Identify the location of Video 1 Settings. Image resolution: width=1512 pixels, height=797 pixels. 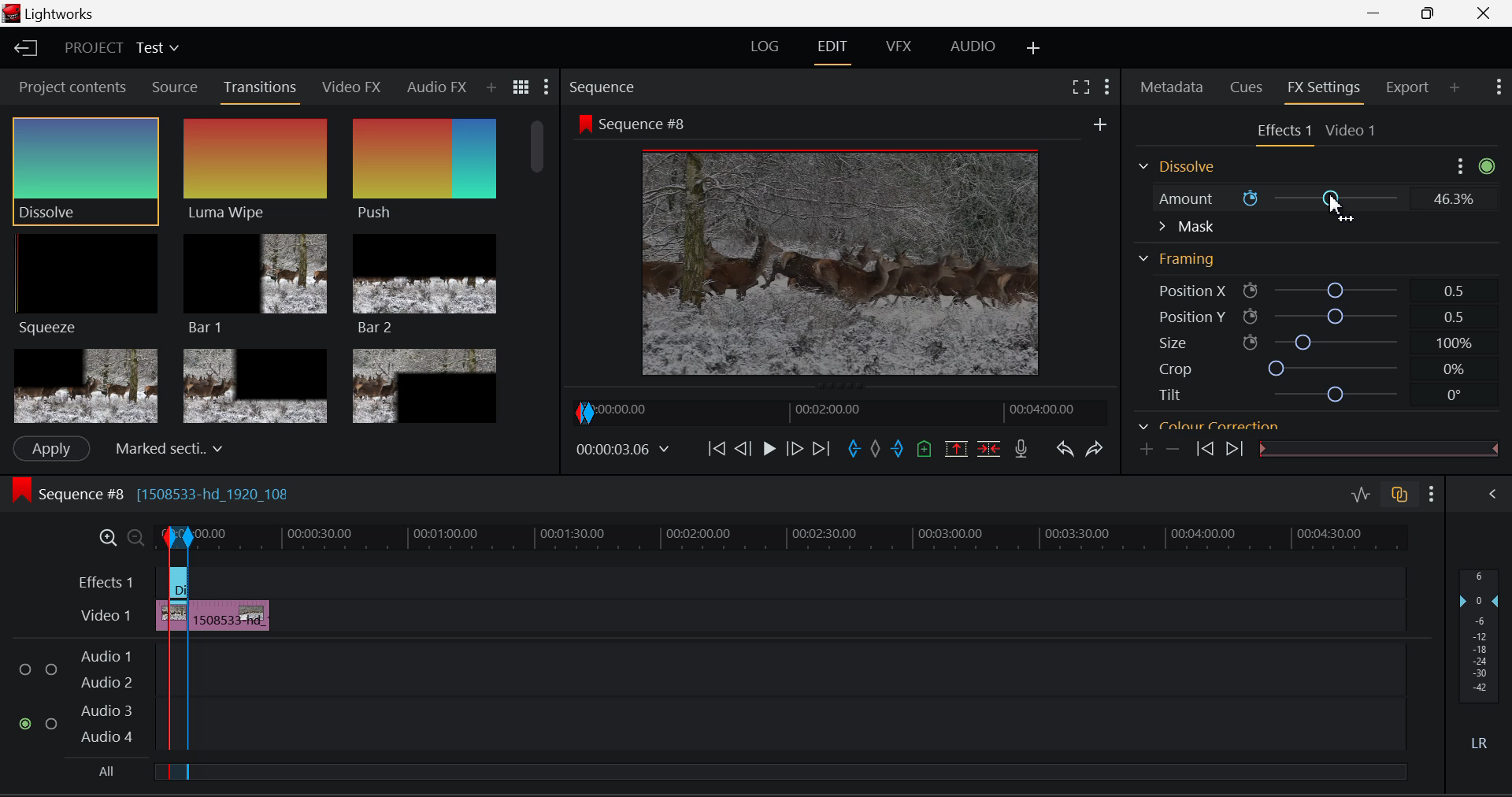
(1351, 129).